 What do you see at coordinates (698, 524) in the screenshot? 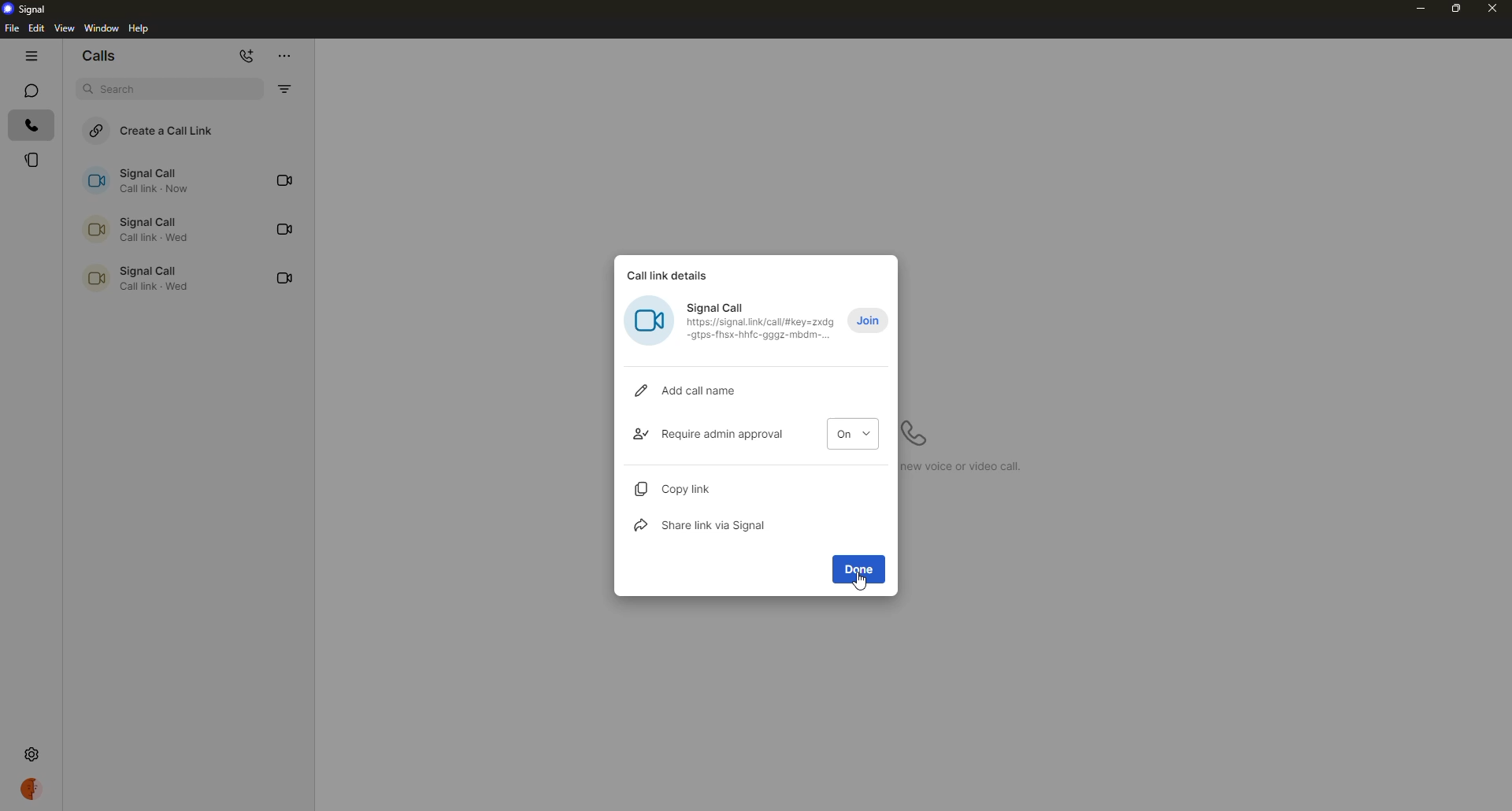
I see `share link via signal` at bounding box center [698, 524].